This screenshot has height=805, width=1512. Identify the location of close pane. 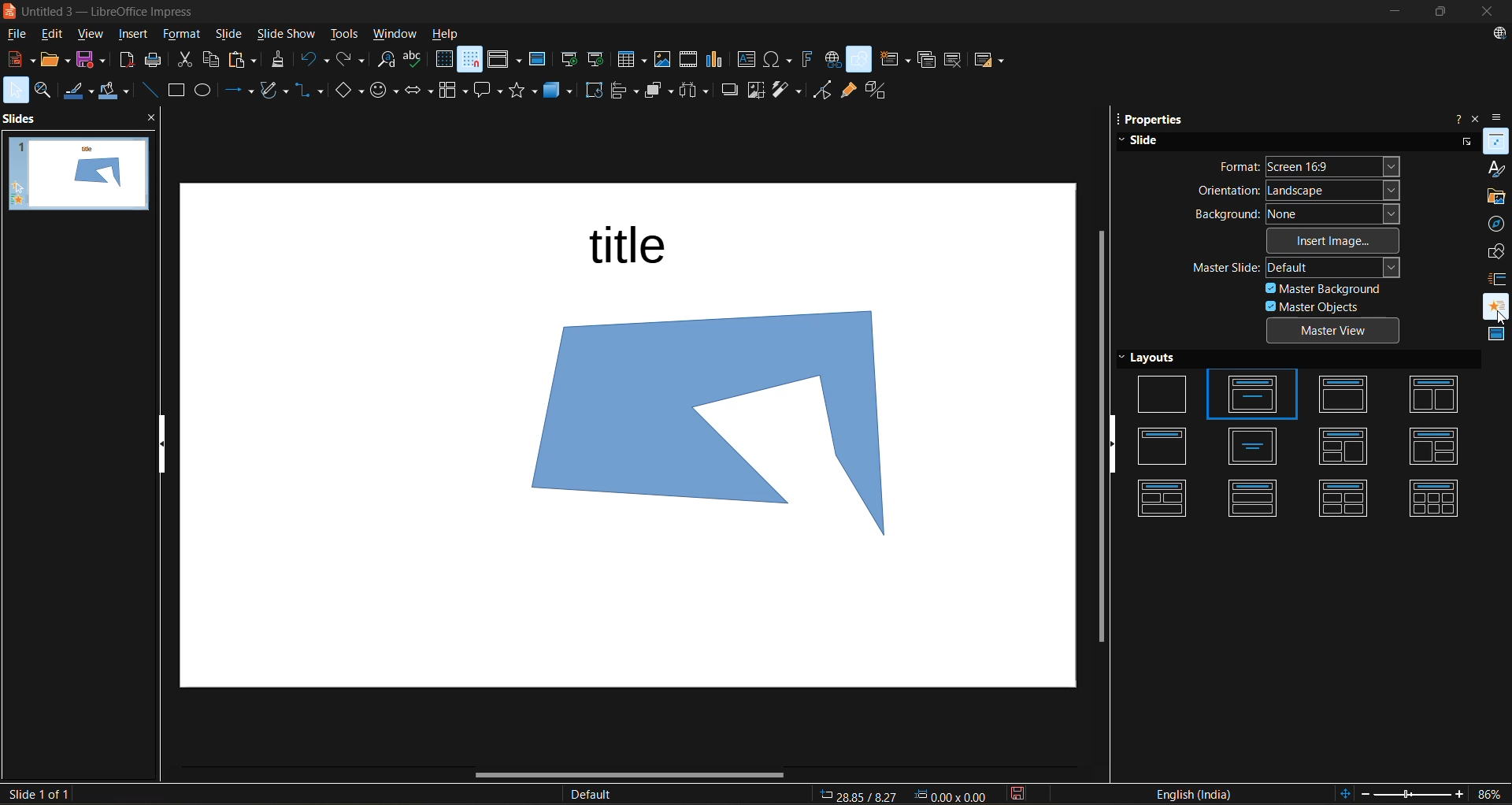
(157, 120).